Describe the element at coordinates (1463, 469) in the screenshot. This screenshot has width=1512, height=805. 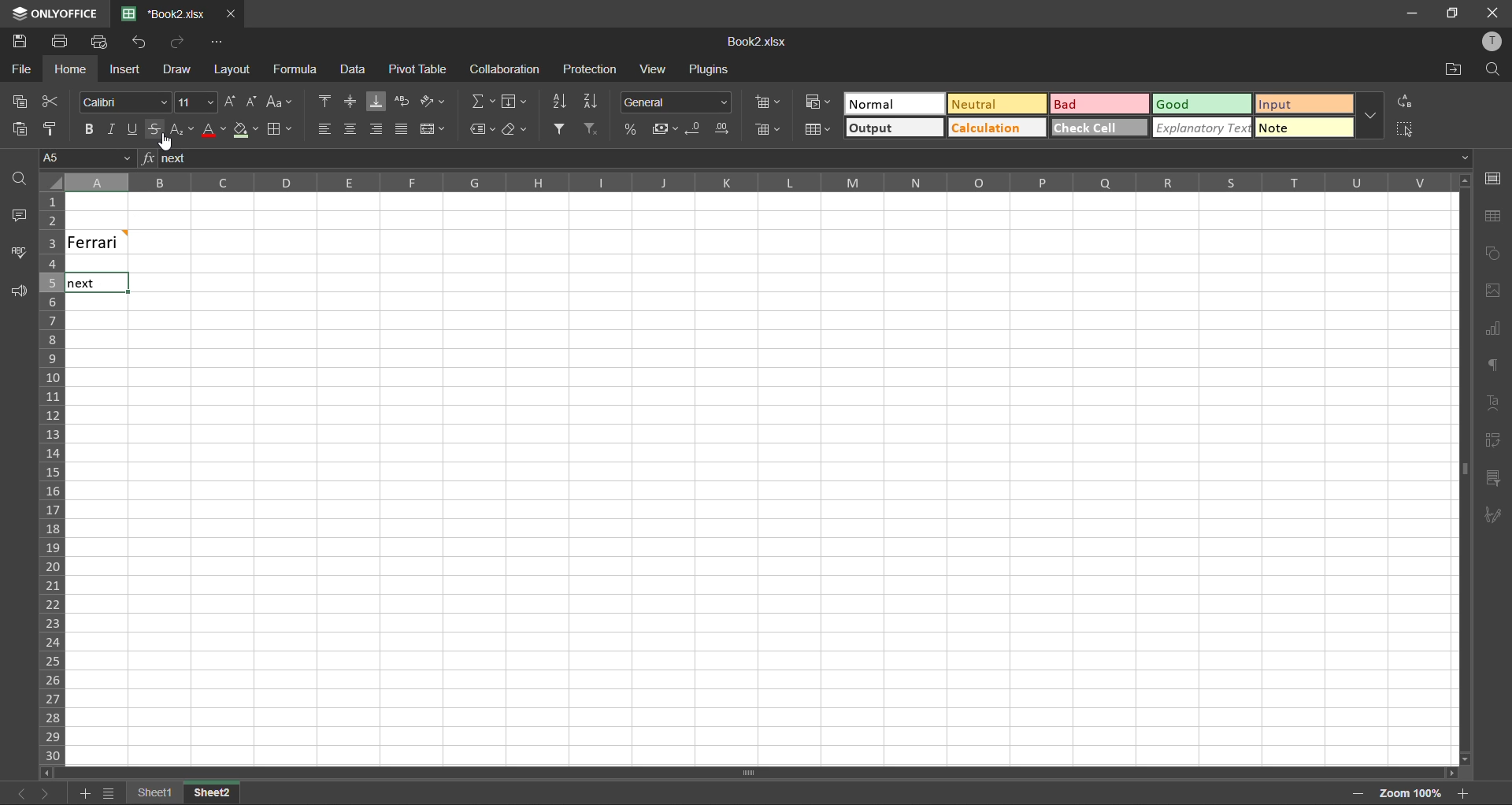
I see `Horizontal Scroll bar` at that location.